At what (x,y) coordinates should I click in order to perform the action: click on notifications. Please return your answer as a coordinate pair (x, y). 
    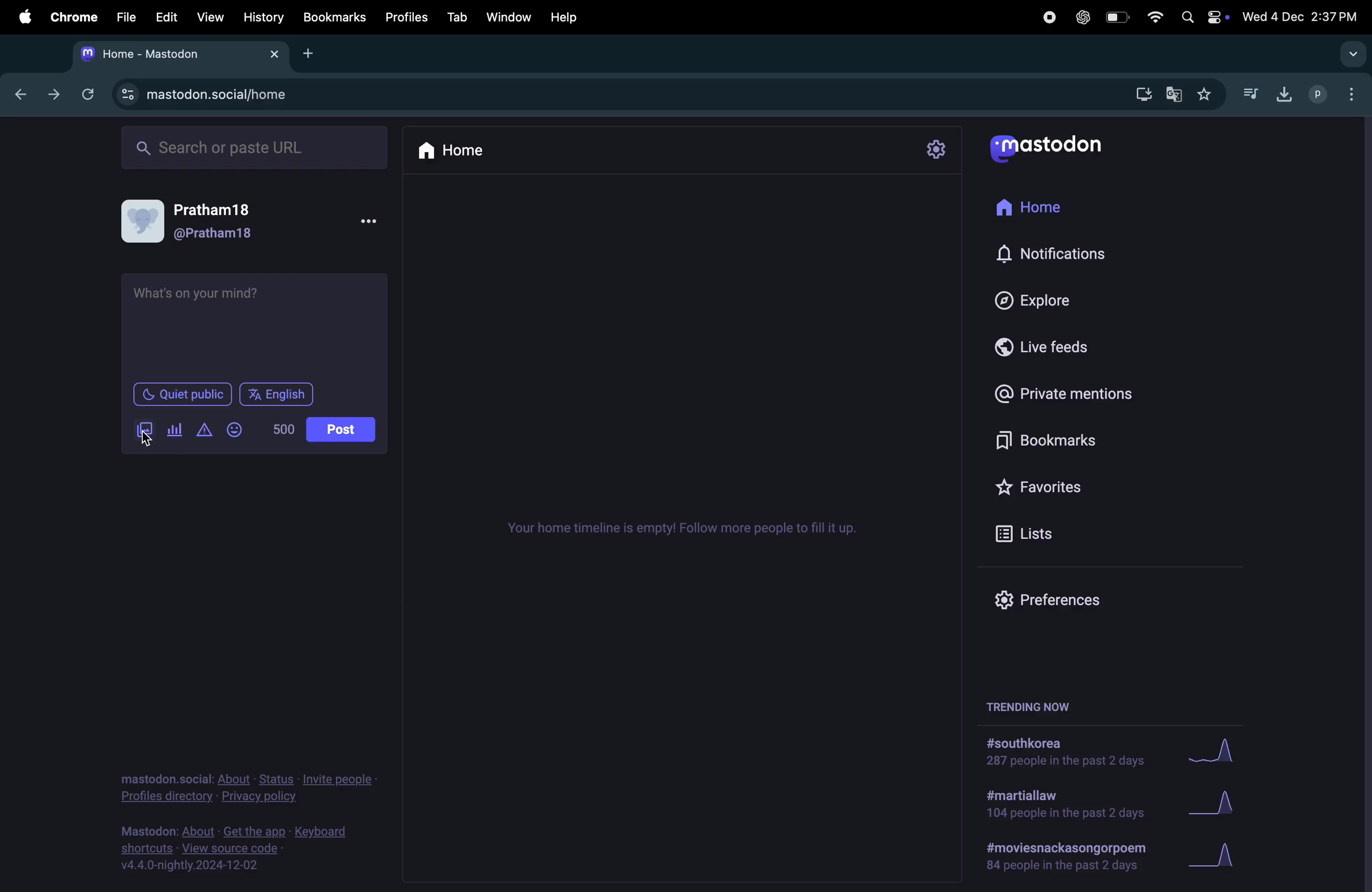
    Looking at the image, I should click on (1058, 255).